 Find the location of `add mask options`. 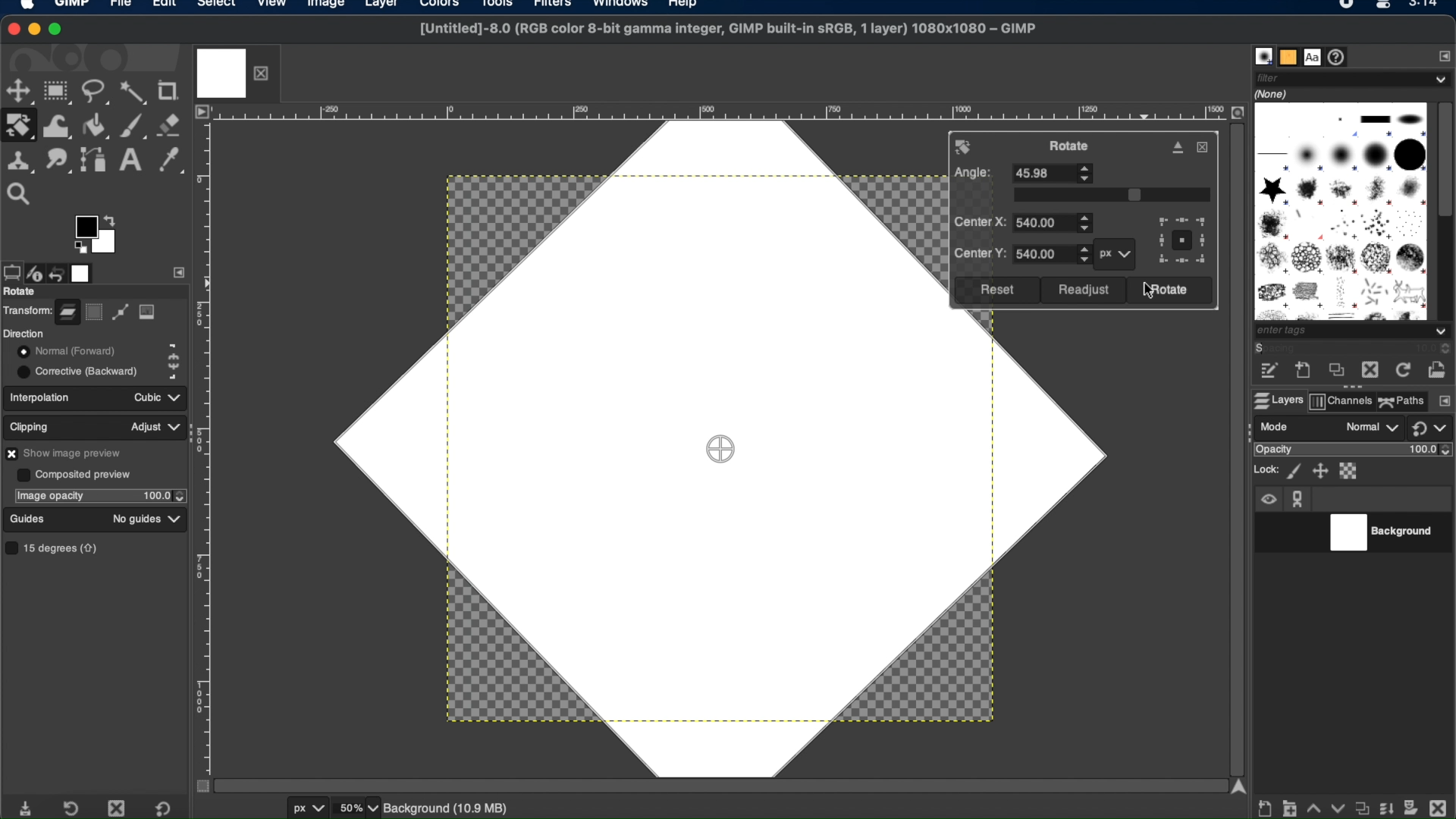

add mask options is located at coordinates (1411, 806).